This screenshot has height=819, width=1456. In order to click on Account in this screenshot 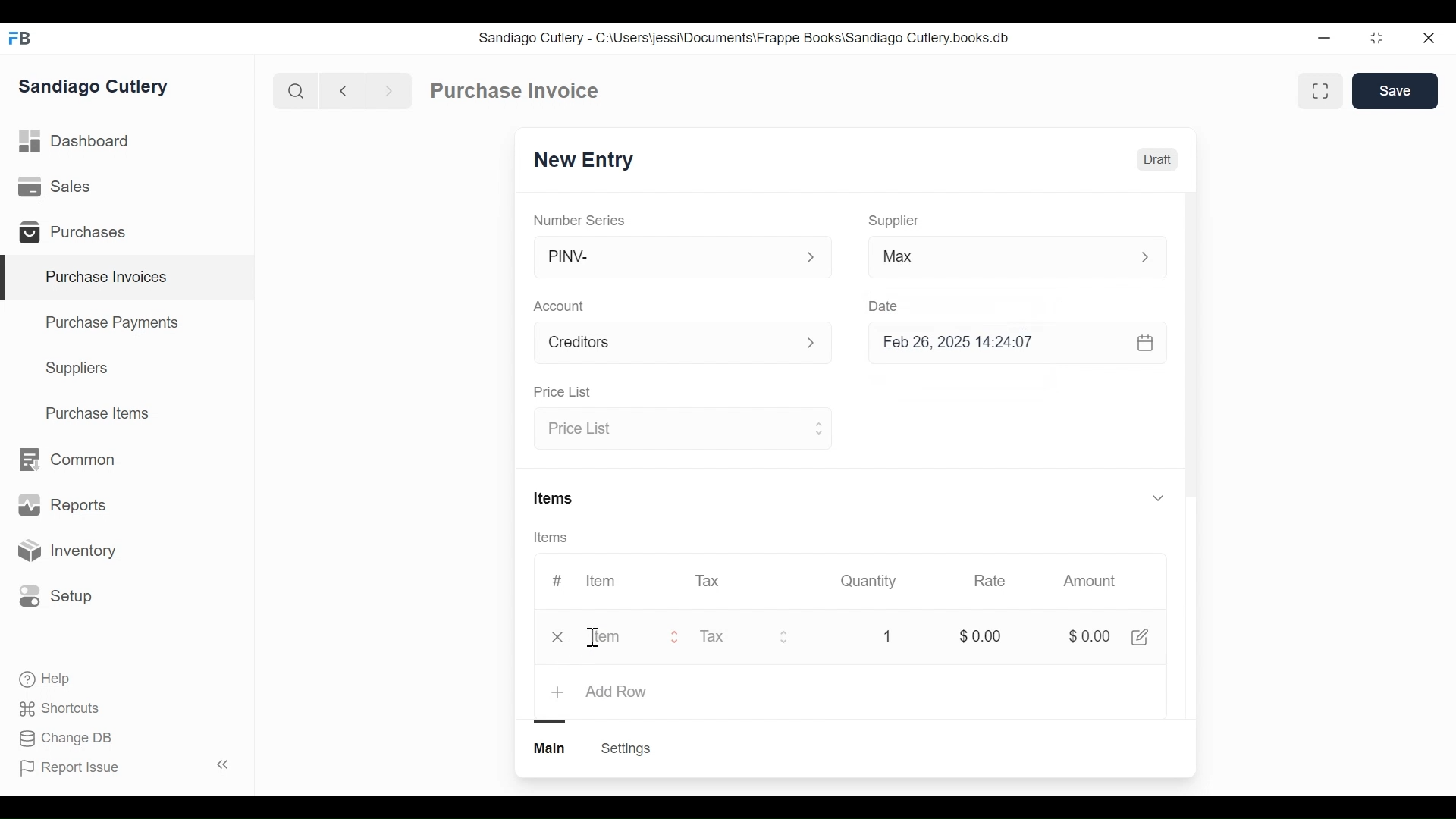, I will do `click(664, 345)`.